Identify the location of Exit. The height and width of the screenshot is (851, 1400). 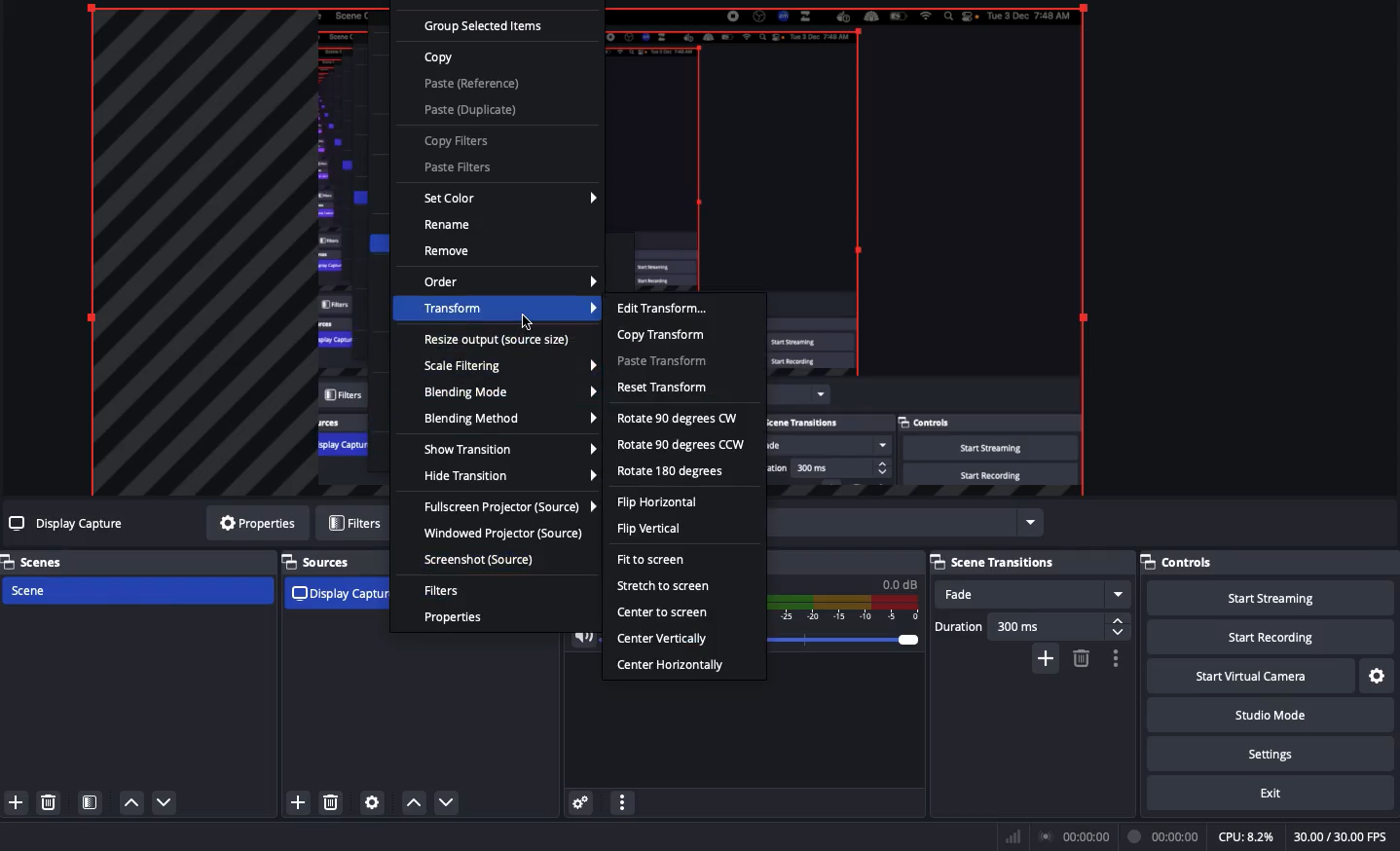
(1267, 794).